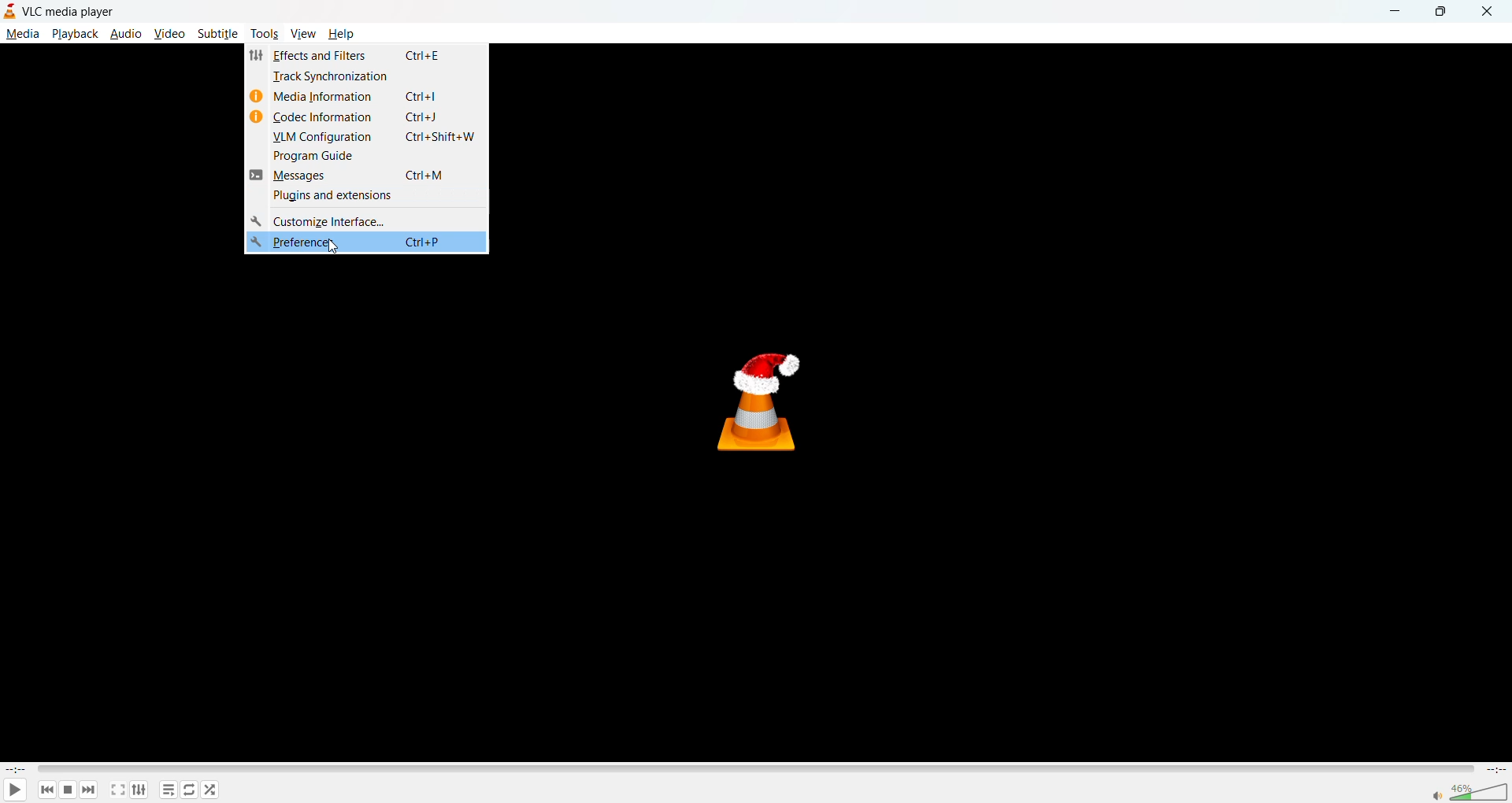  Describe the element at coordinates (316, 157) in the screenshot. I see `program guide` at that location.